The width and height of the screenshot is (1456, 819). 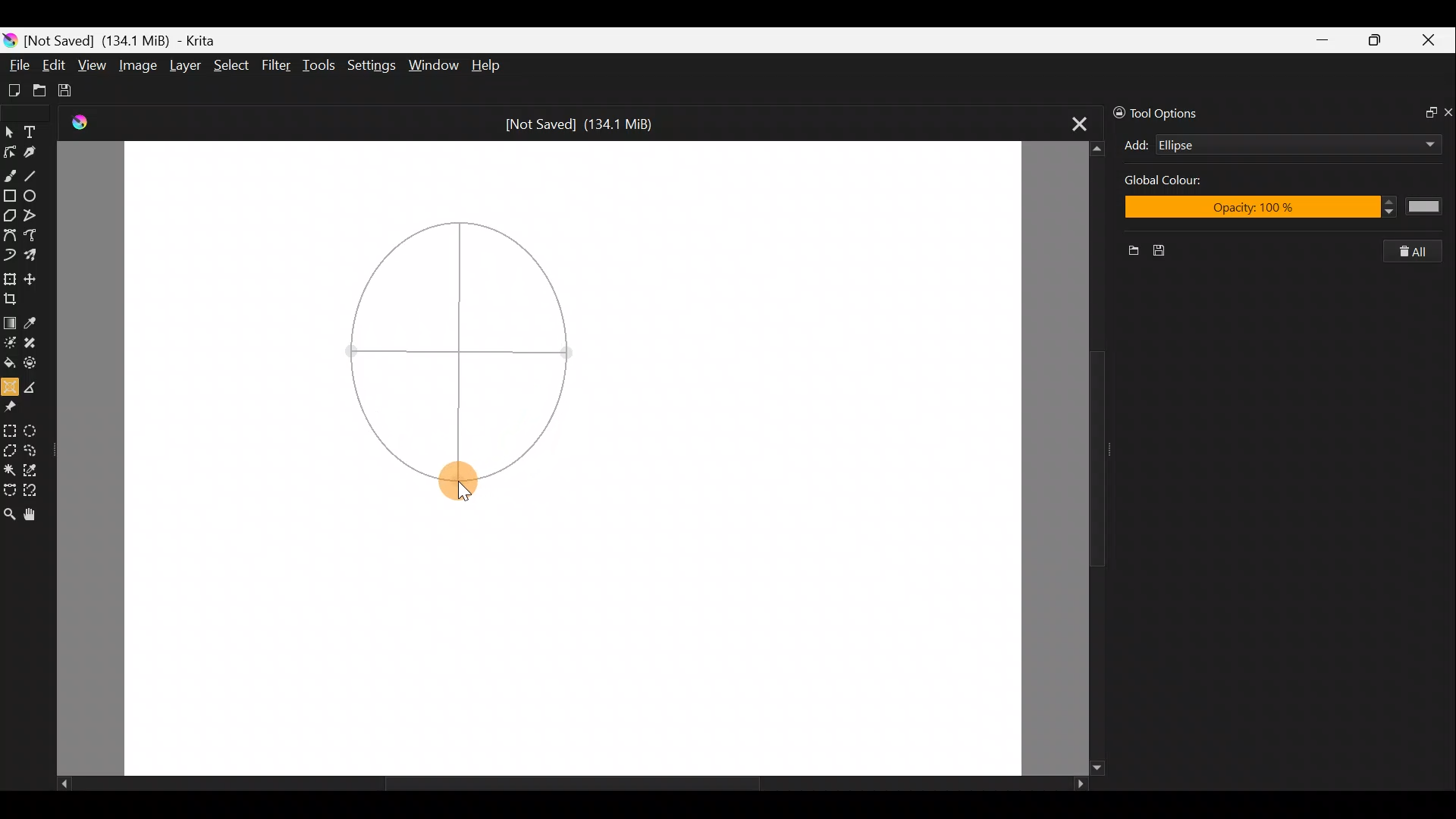 I want to click on Filter, so click(x=277, y=67).